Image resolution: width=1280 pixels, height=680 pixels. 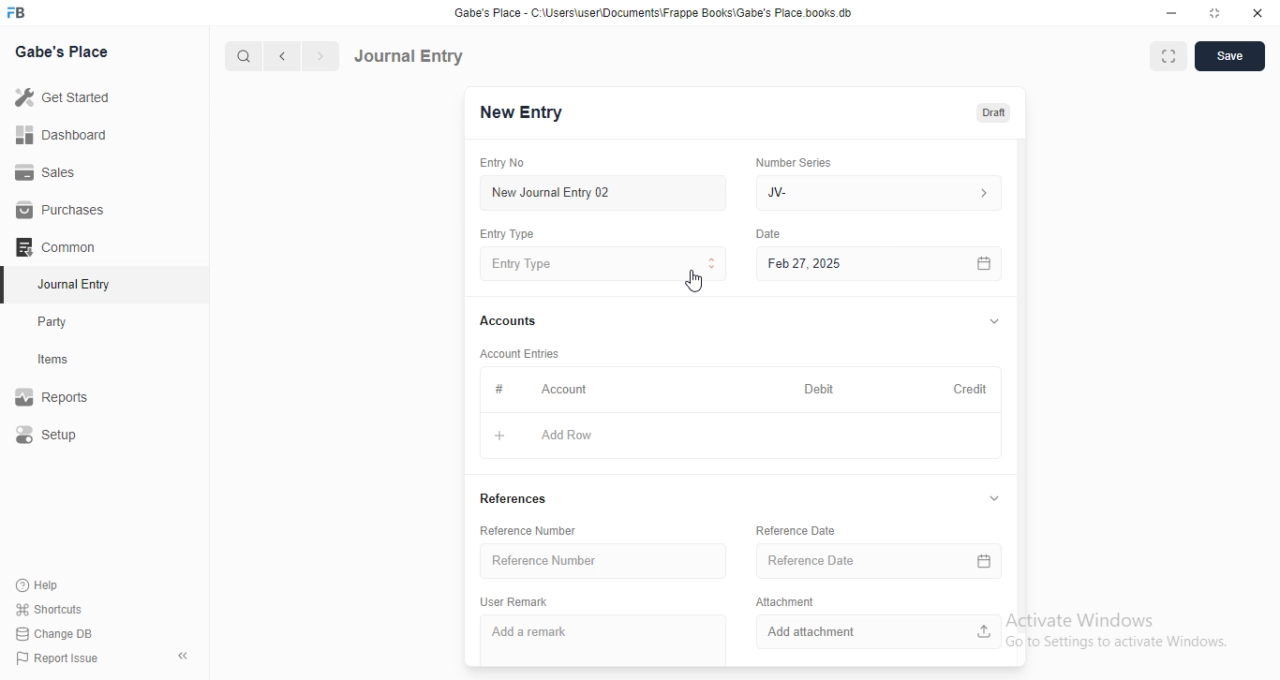 What do you see at coordinates (1231, 56) in the screenshot?
I see `Save` at bounding box center [1231, 56].